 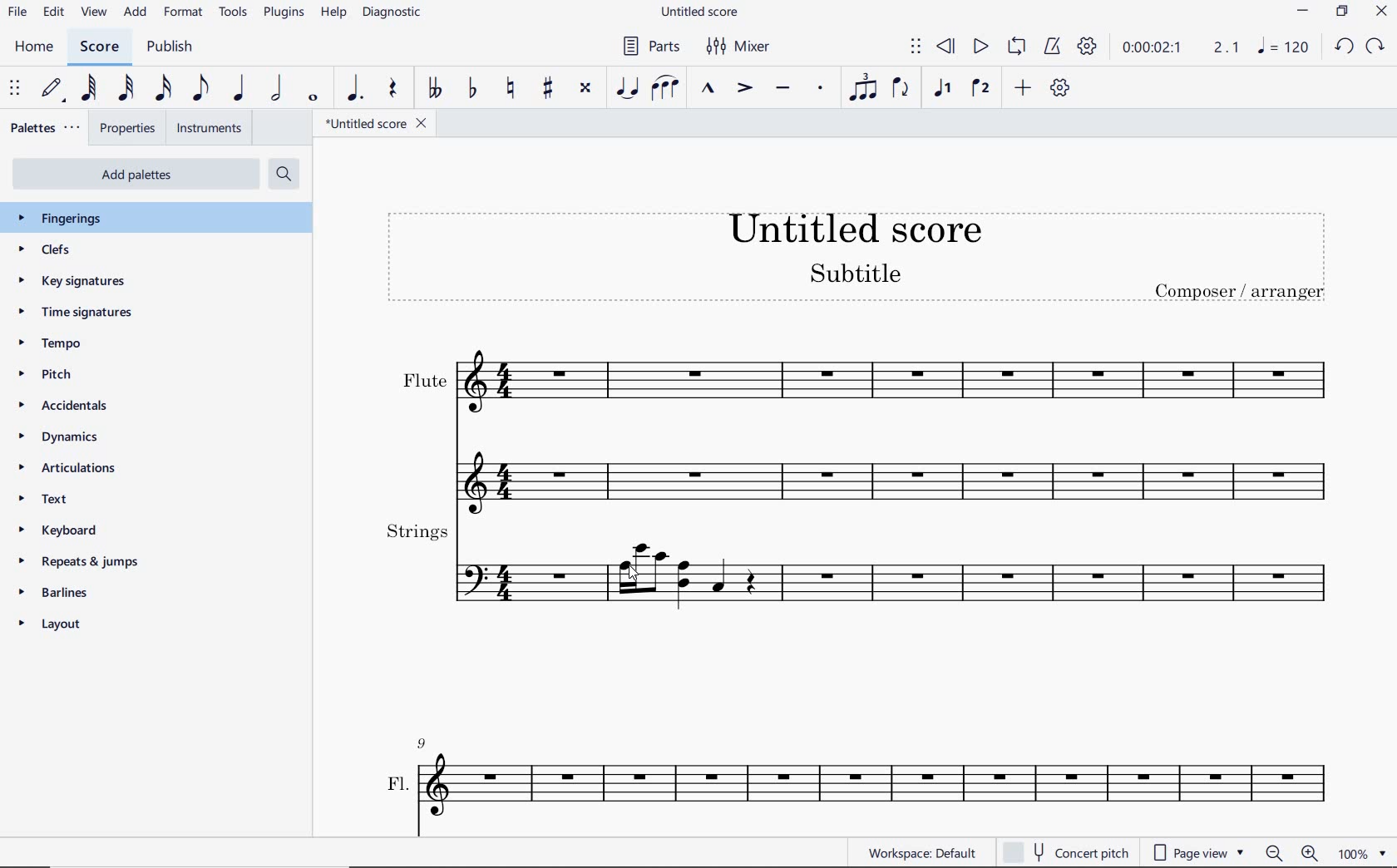 I want to click on add palettes, so click(x=133, y=173).